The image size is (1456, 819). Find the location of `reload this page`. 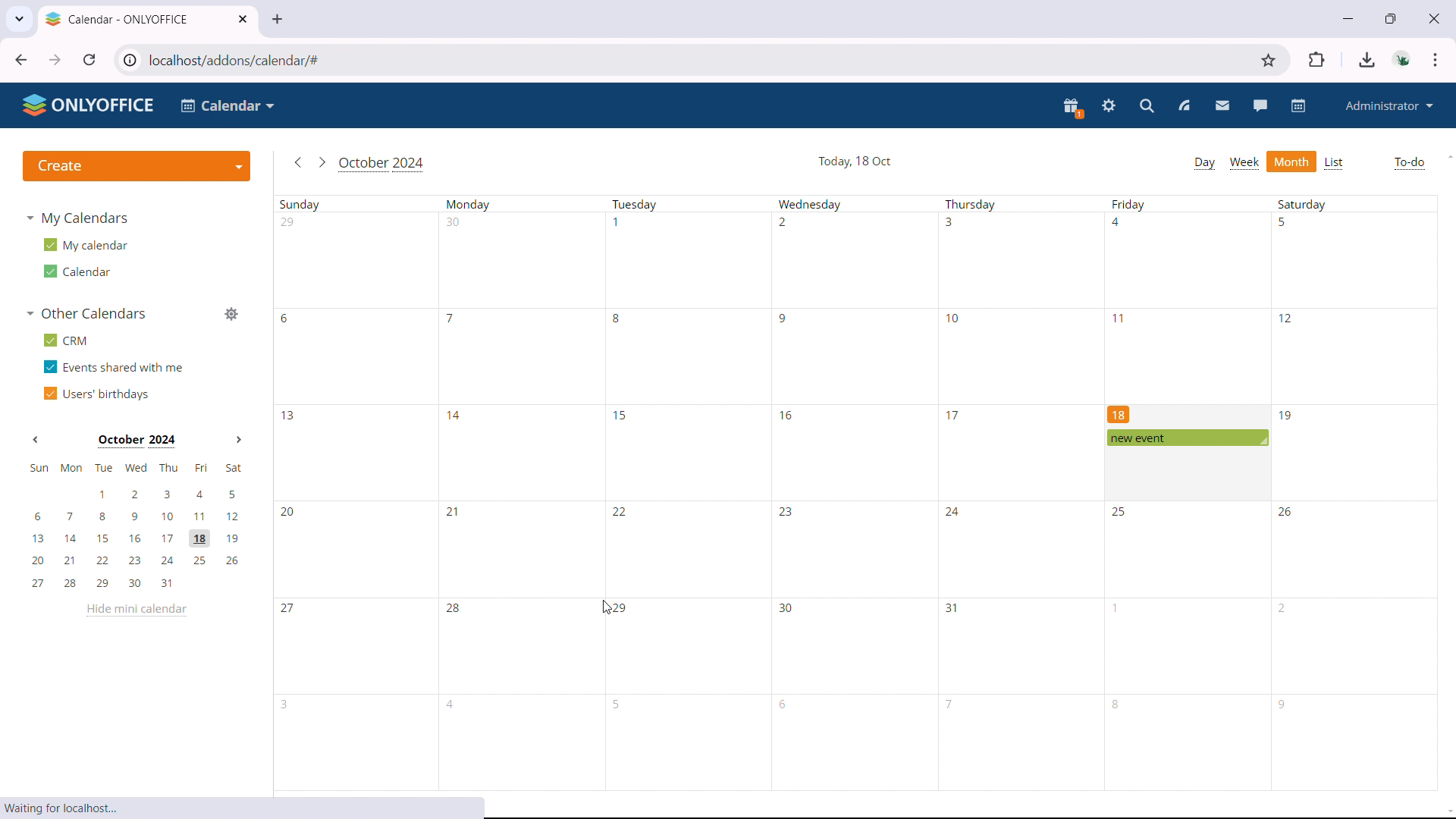

reload this page is located at coordinates (90, 59).